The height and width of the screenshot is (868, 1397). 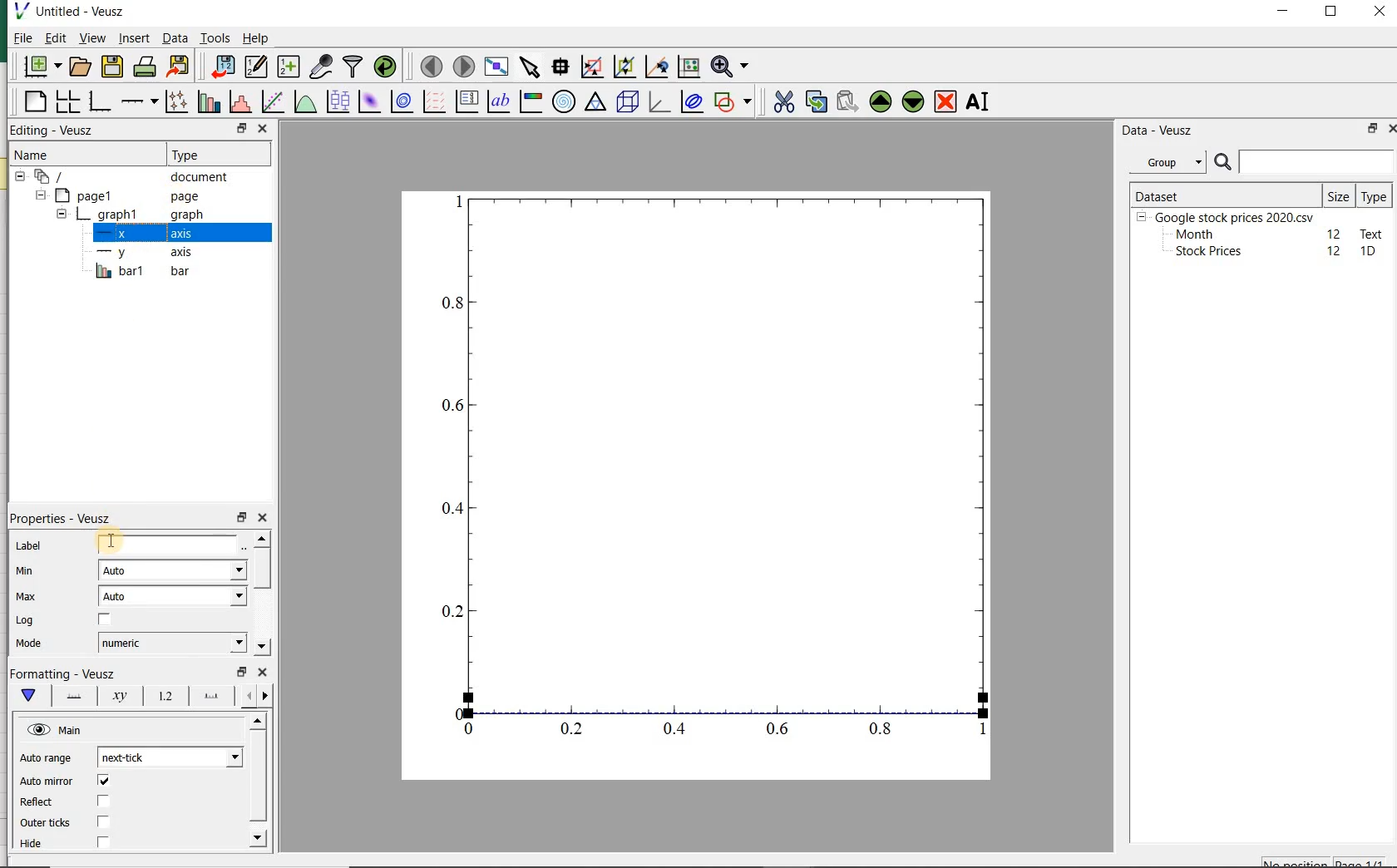 What do you see at coordinates (112, 67) in the screenshot?
I see `save the document` at bounding box center [112, 67].